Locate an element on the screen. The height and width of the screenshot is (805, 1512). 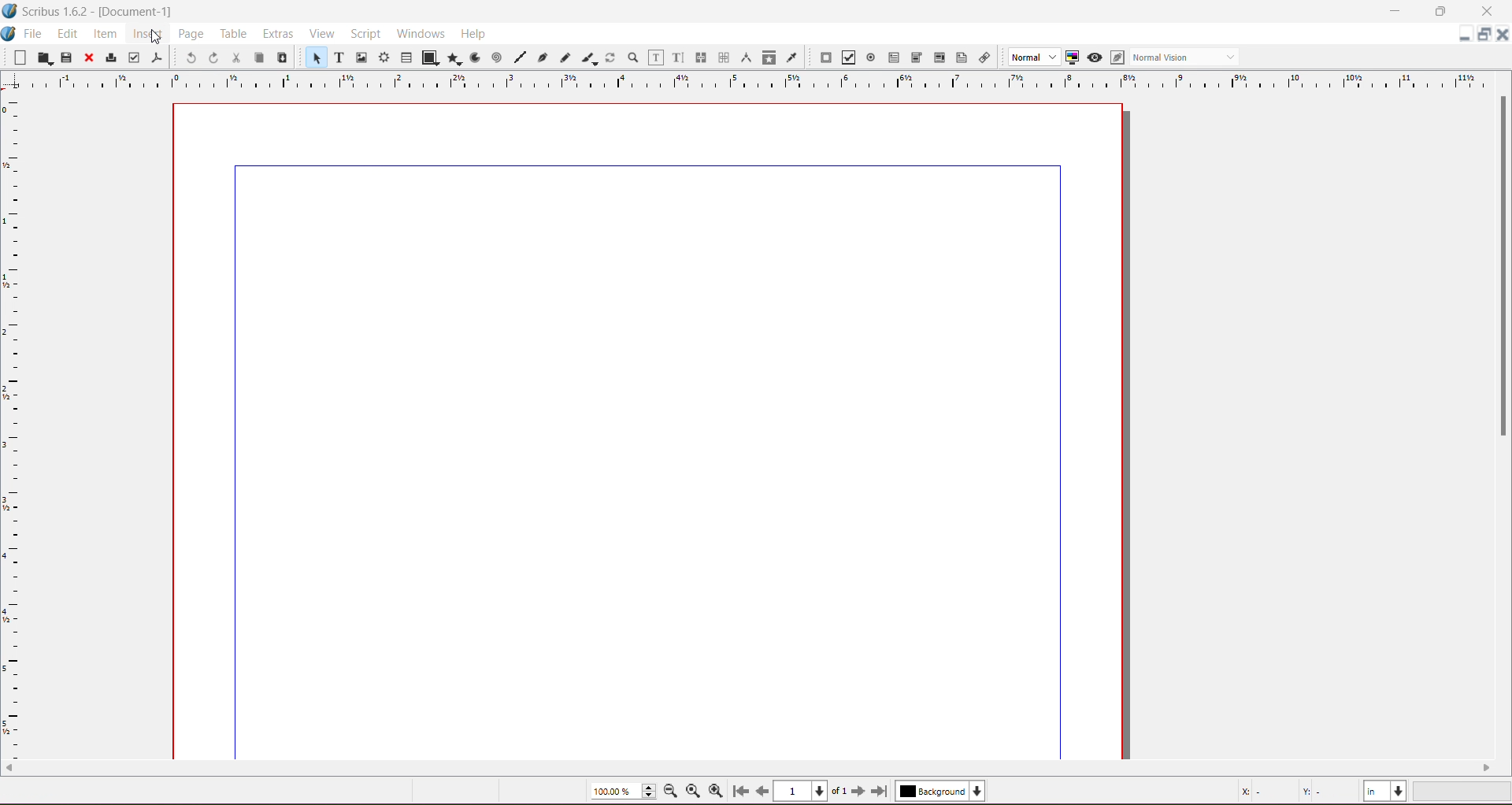
PDF Radio Button is located at coordinates (871, 57).